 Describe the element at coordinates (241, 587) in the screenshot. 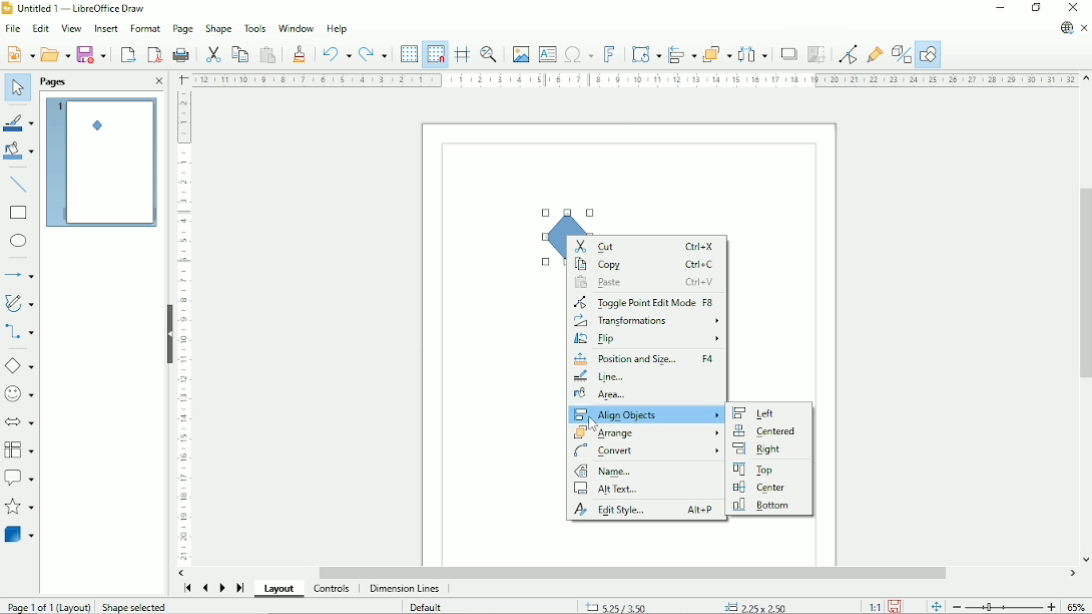

I see `Scroll to last page` at that location.